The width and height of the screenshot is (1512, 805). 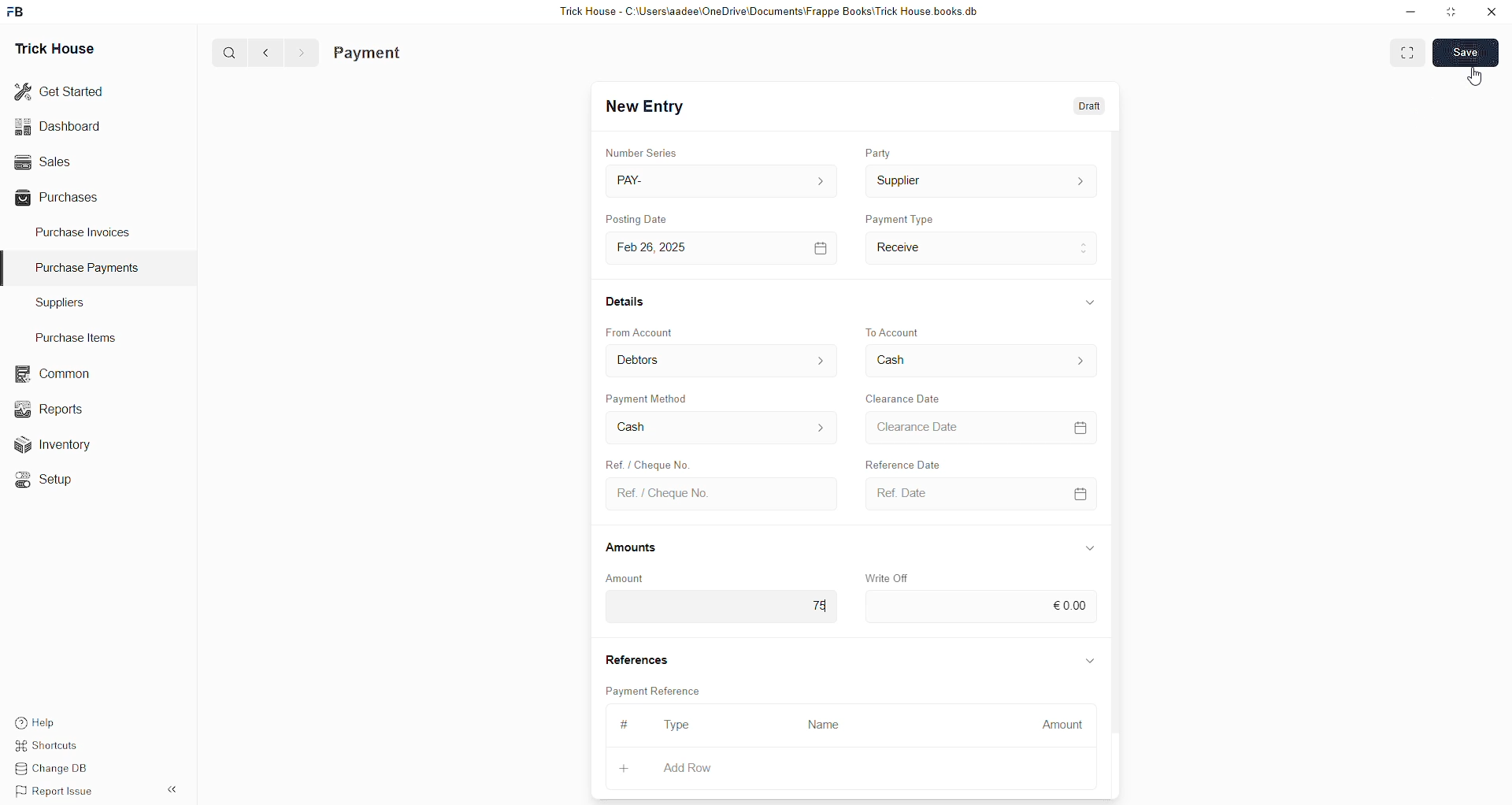 I want to click on expand, so click(x=1089, y=658).